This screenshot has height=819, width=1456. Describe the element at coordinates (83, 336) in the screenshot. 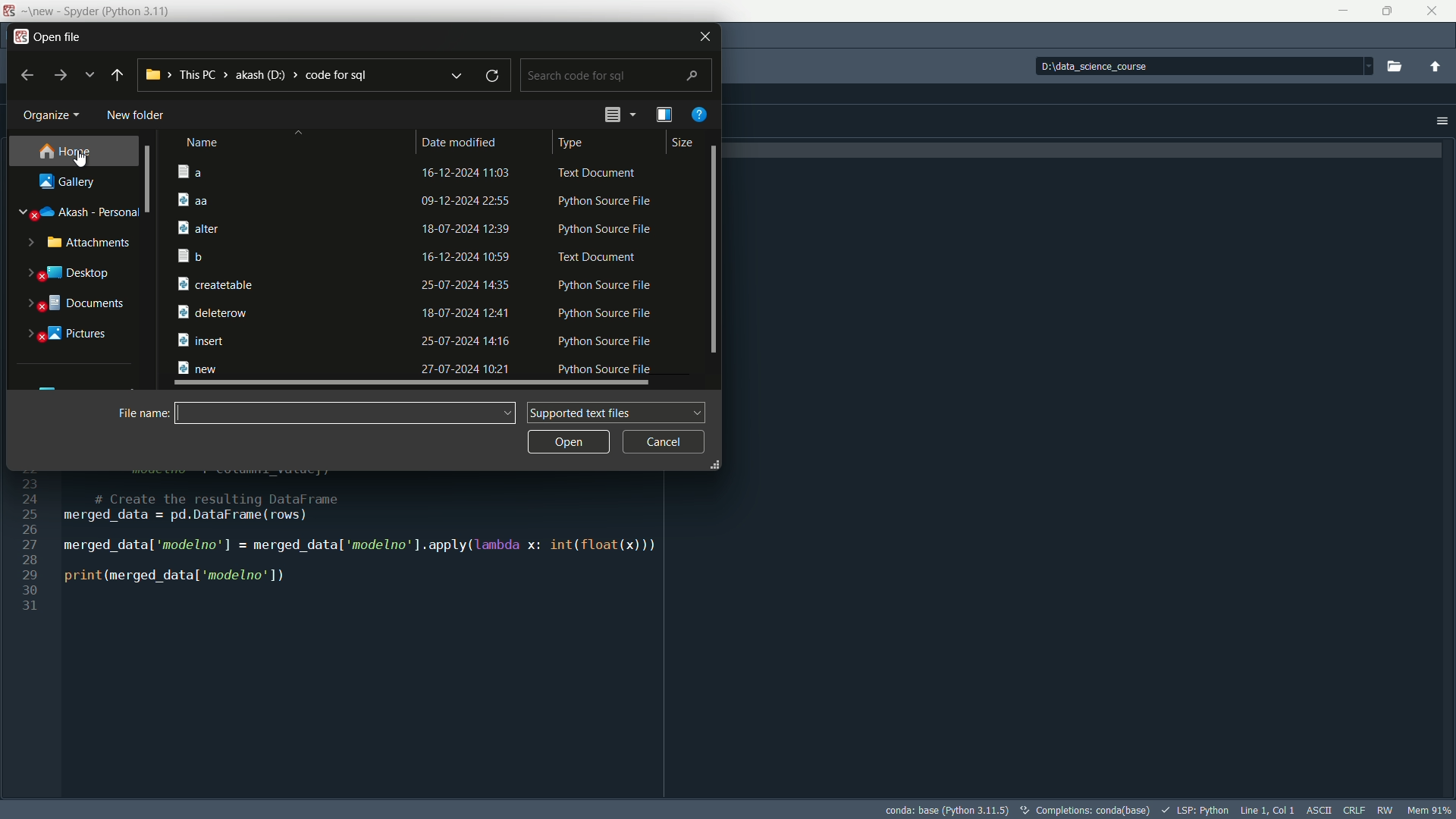

I see `pictures` at that location.